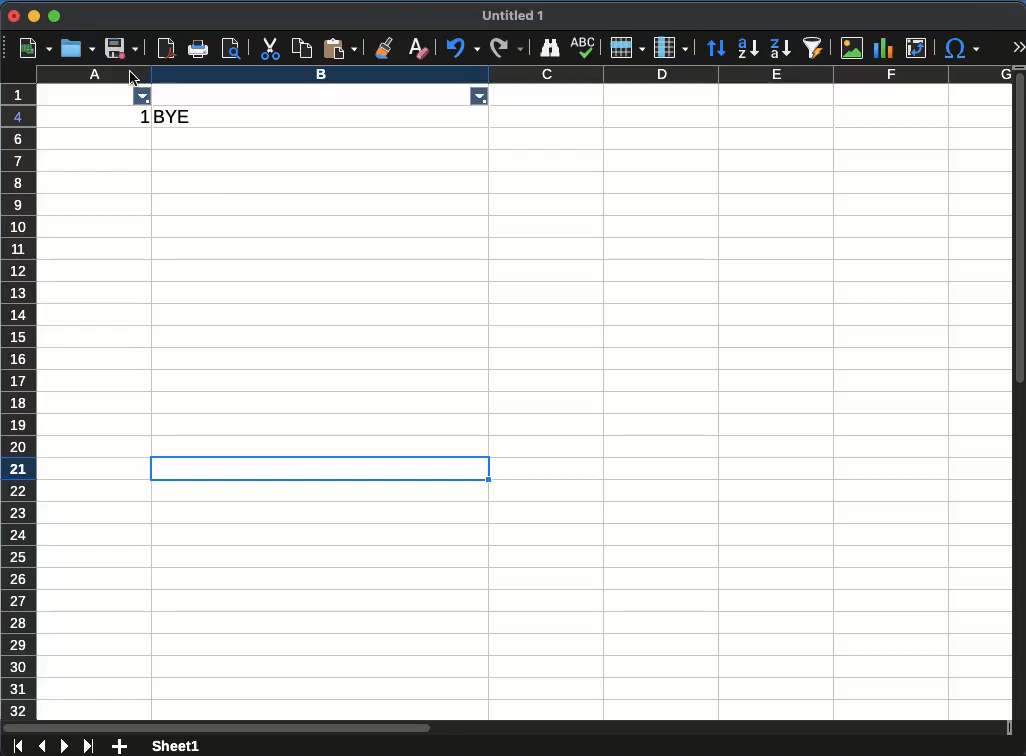 The height and width of the screenshot is (756, 1026). I want to click on pivot, so click(915, 48).